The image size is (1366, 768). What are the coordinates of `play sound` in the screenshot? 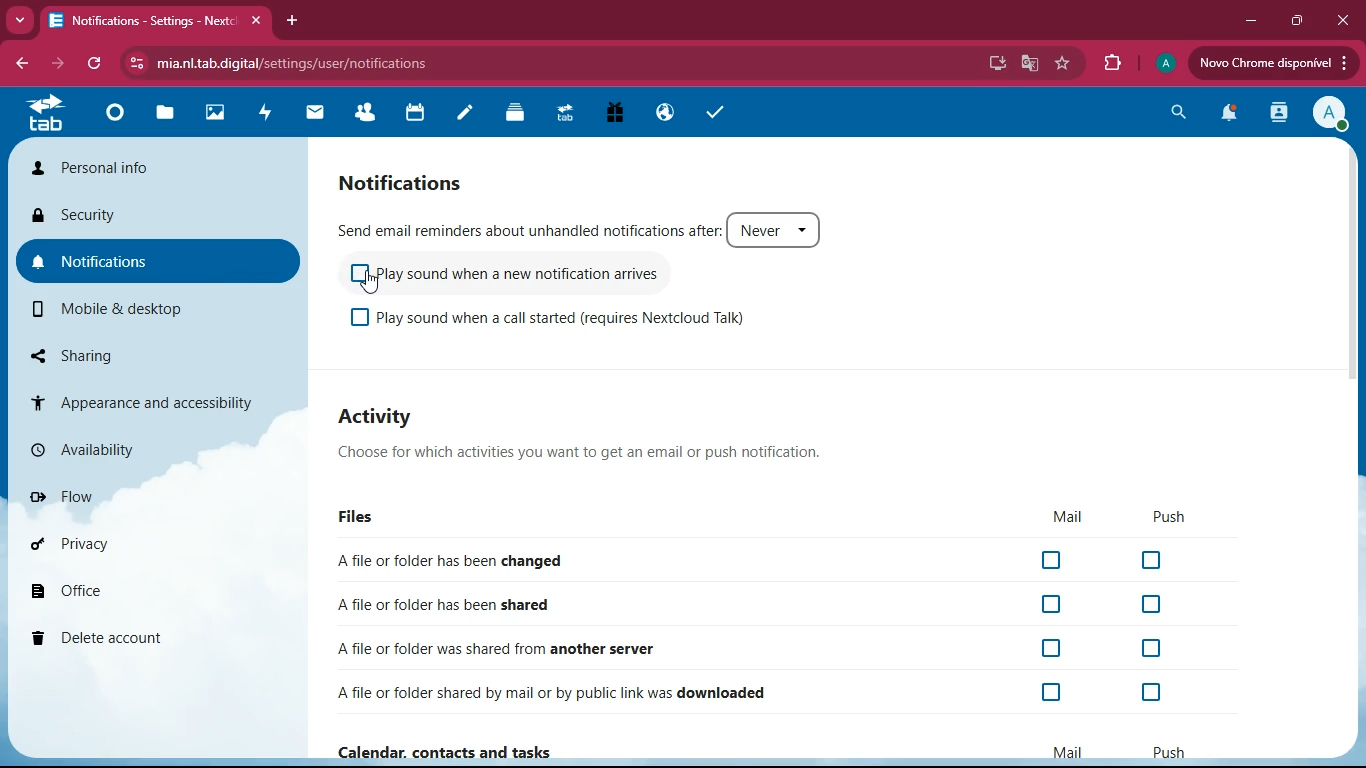 It's located at (582, 323).